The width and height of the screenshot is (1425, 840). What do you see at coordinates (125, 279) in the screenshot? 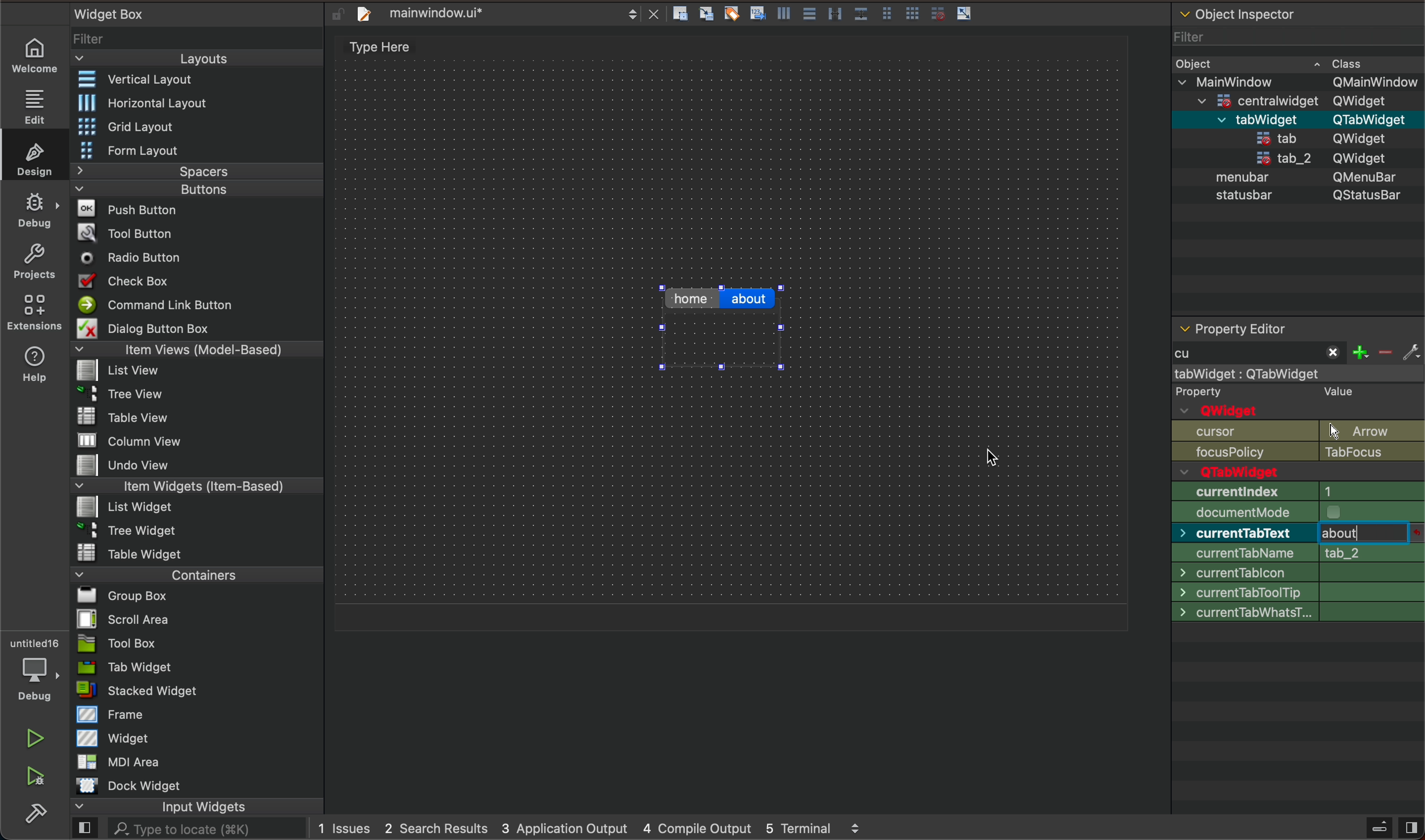
I see `Check Box` at bounding box center [125, 279].